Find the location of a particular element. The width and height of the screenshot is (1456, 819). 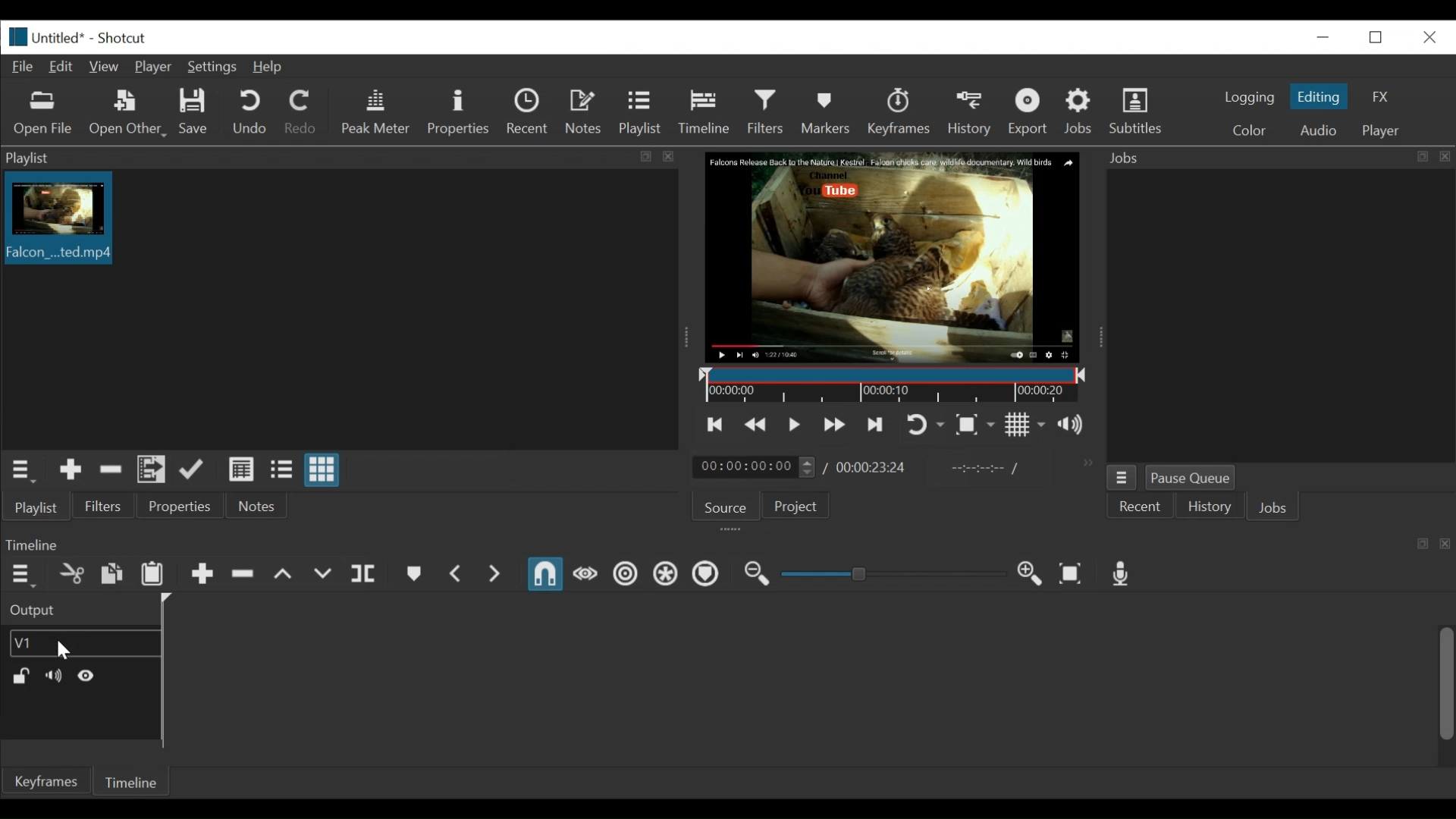

Restore is located at coordinates (1373, 36).